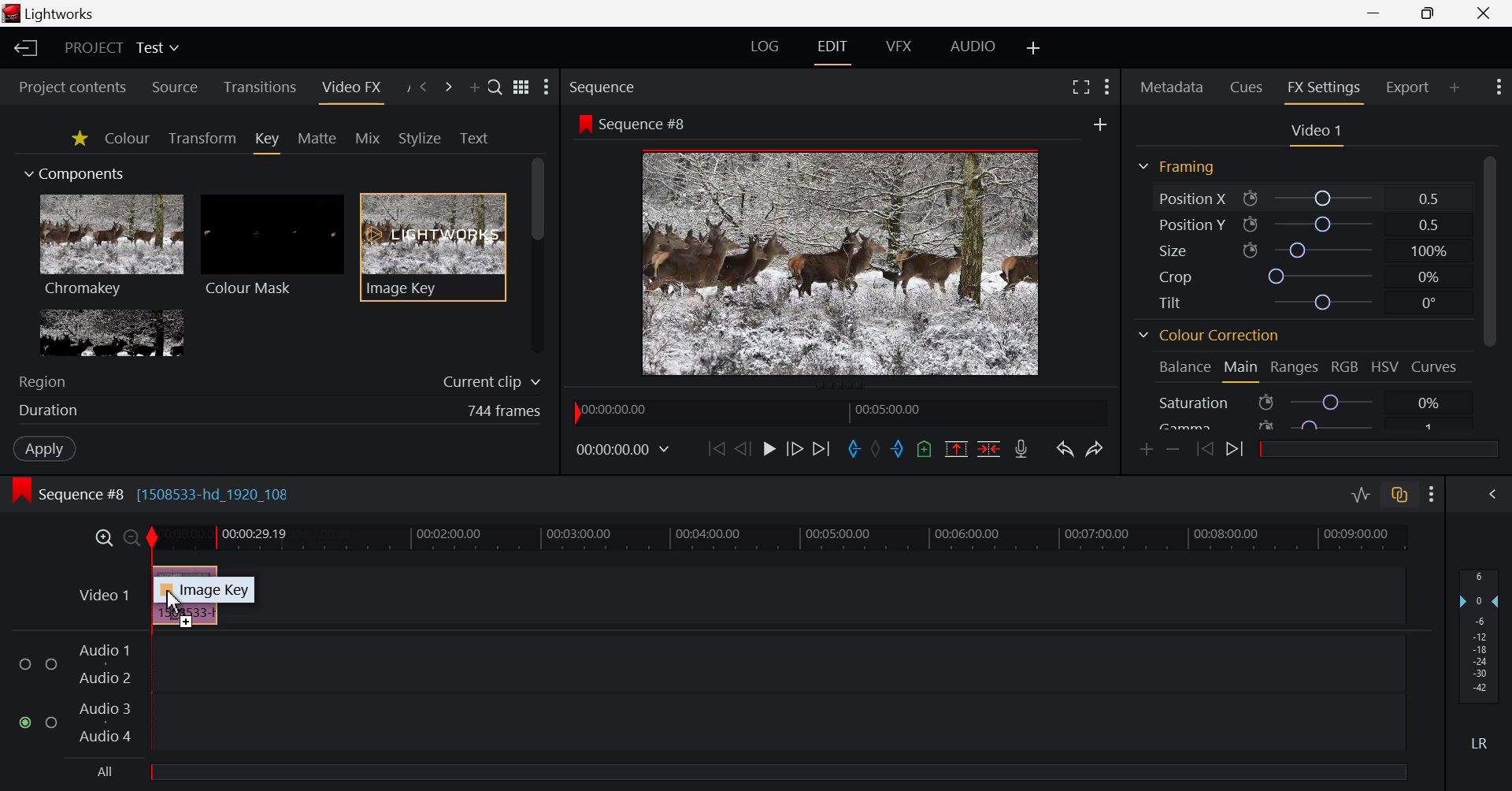 The width and height of the screenshot is (1512, 791). I want to click on Show Audio Mix, so click(1490, 494).